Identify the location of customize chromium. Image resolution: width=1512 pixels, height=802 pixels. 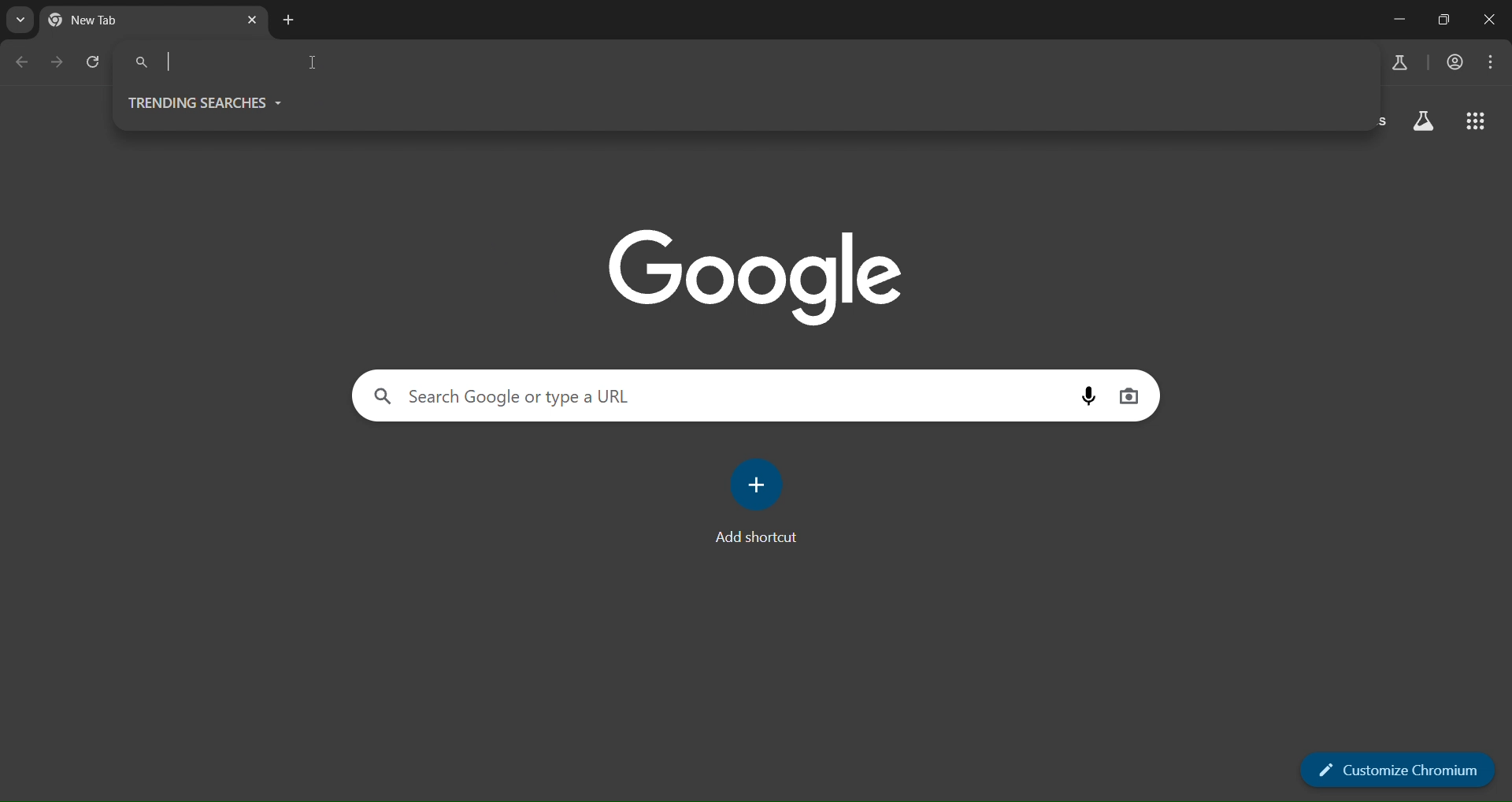
(1401, 770).